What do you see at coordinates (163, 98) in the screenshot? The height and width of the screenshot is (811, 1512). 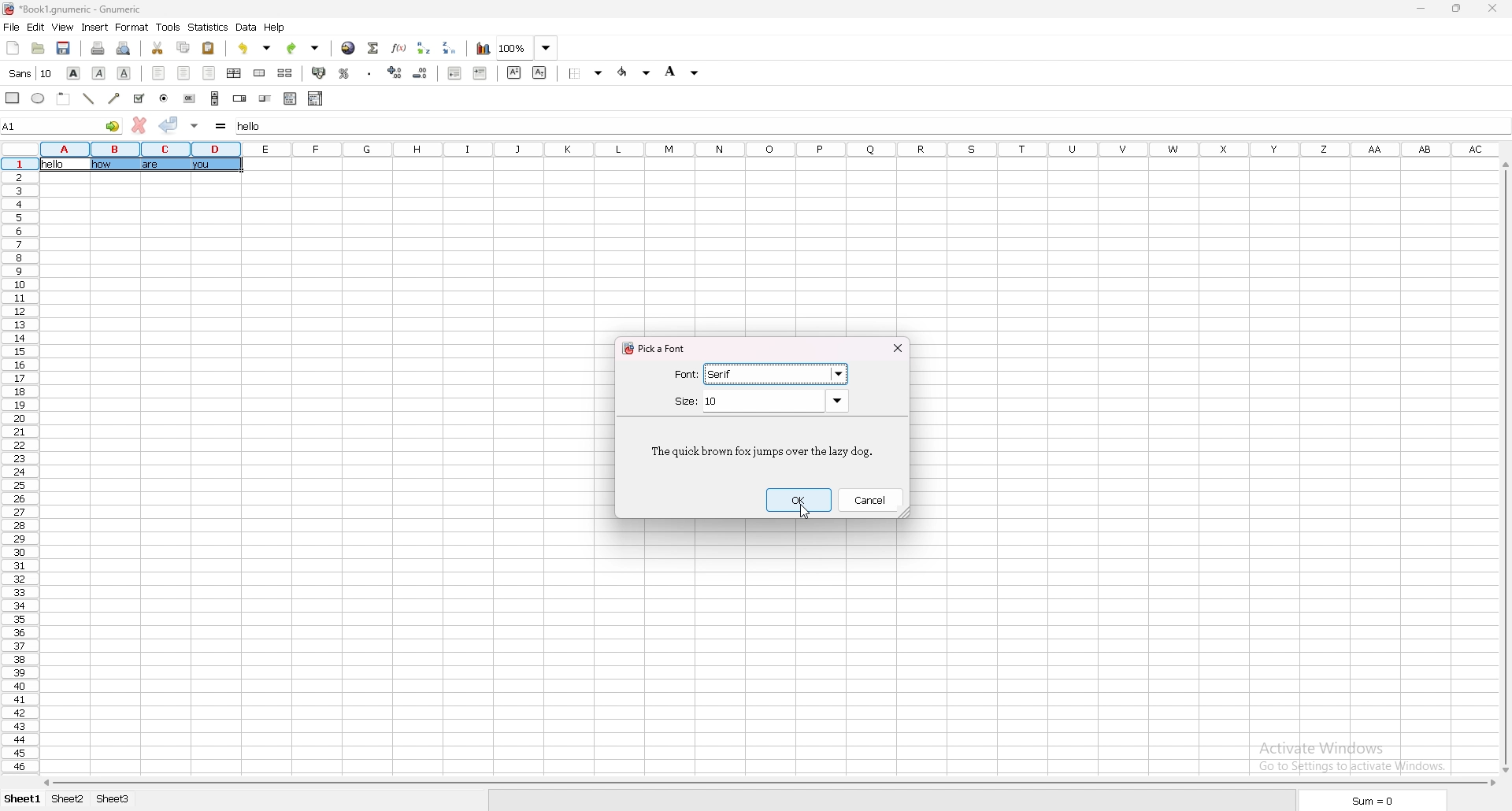 I see `radio button` at bounding box center [163, 98].